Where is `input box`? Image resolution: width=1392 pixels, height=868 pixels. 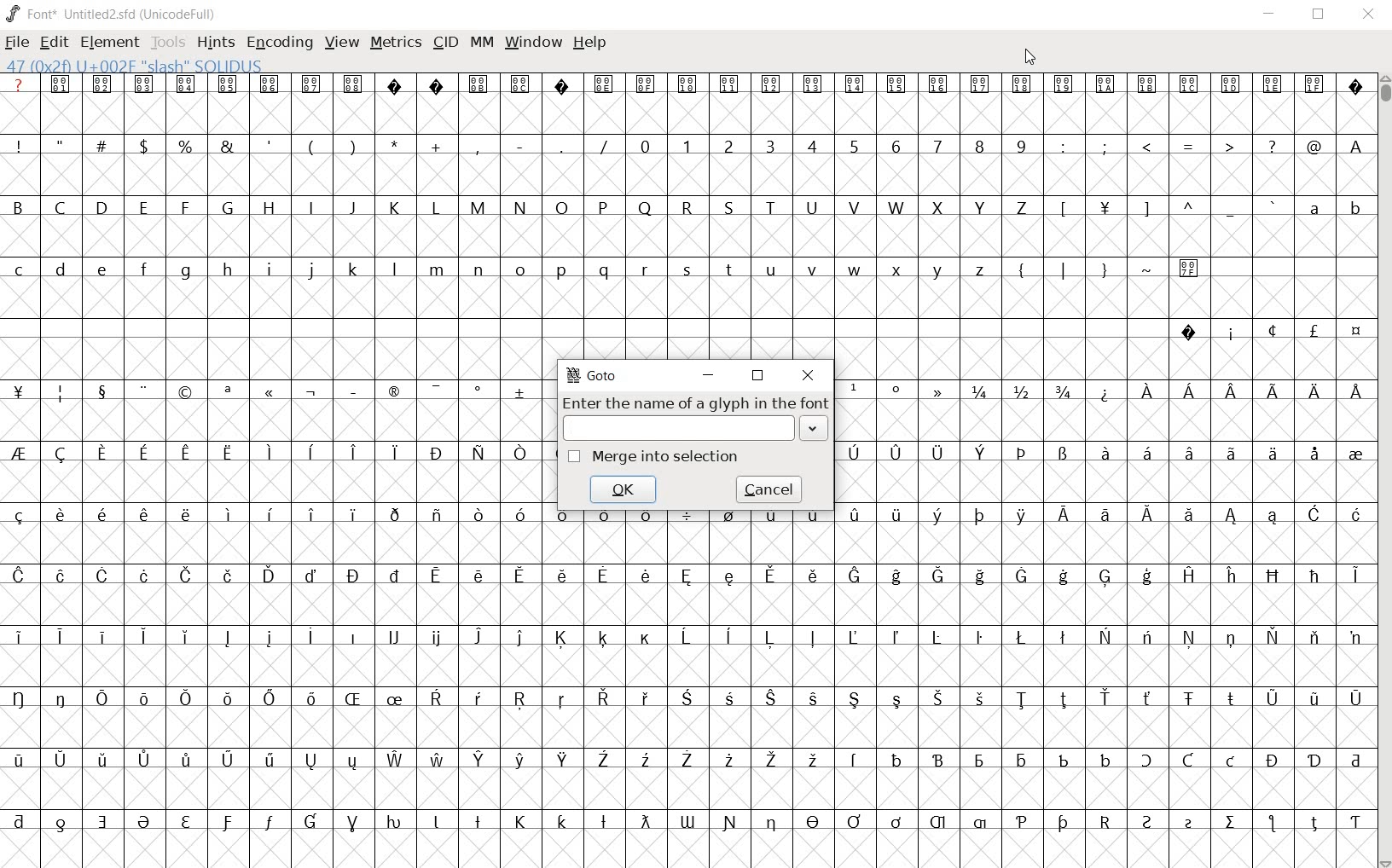
input box is located at coordinates (674, 426).